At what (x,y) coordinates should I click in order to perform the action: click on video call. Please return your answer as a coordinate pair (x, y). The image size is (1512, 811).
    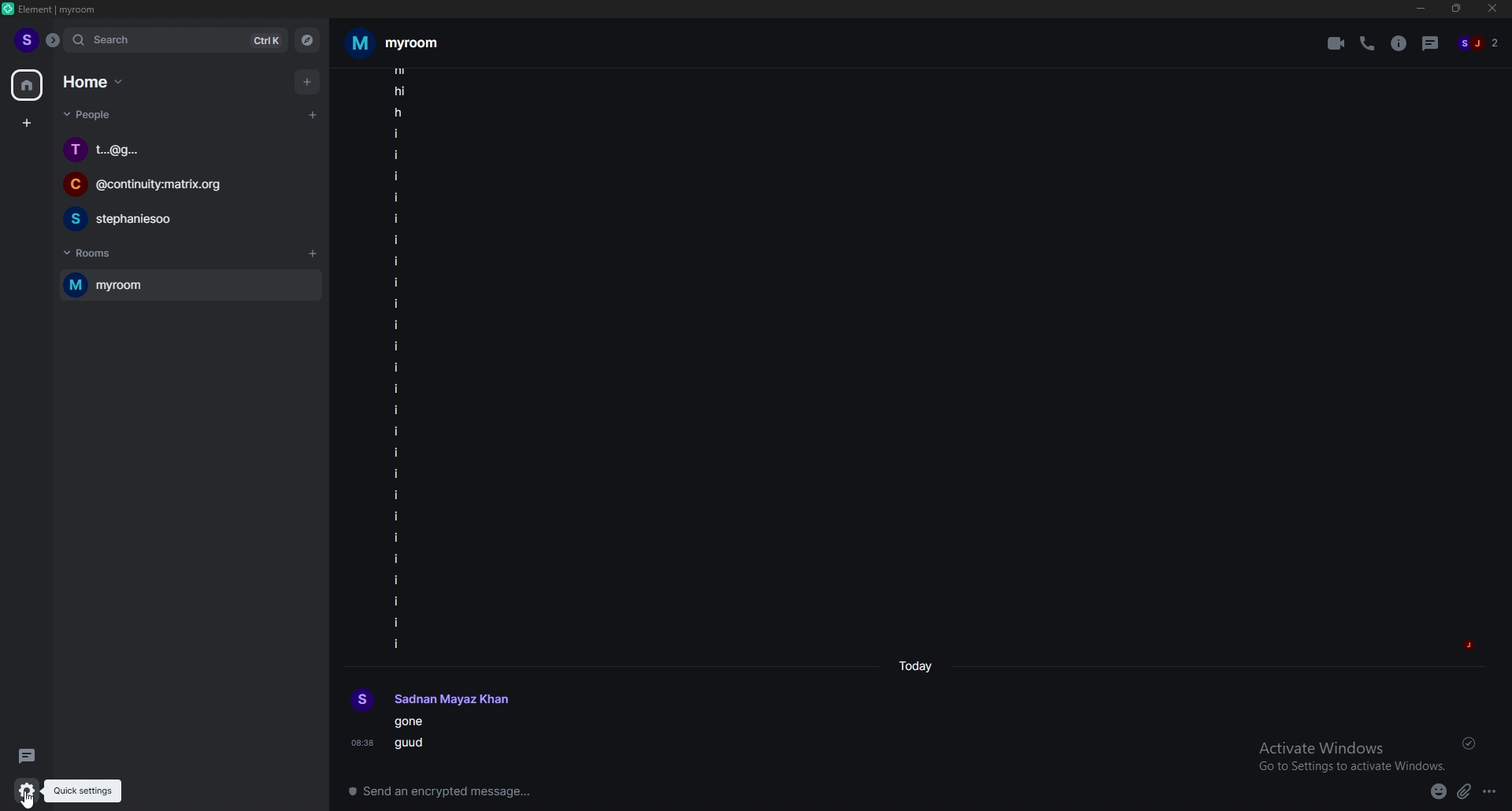
    Looking at the image, I should click on (1336, 43).